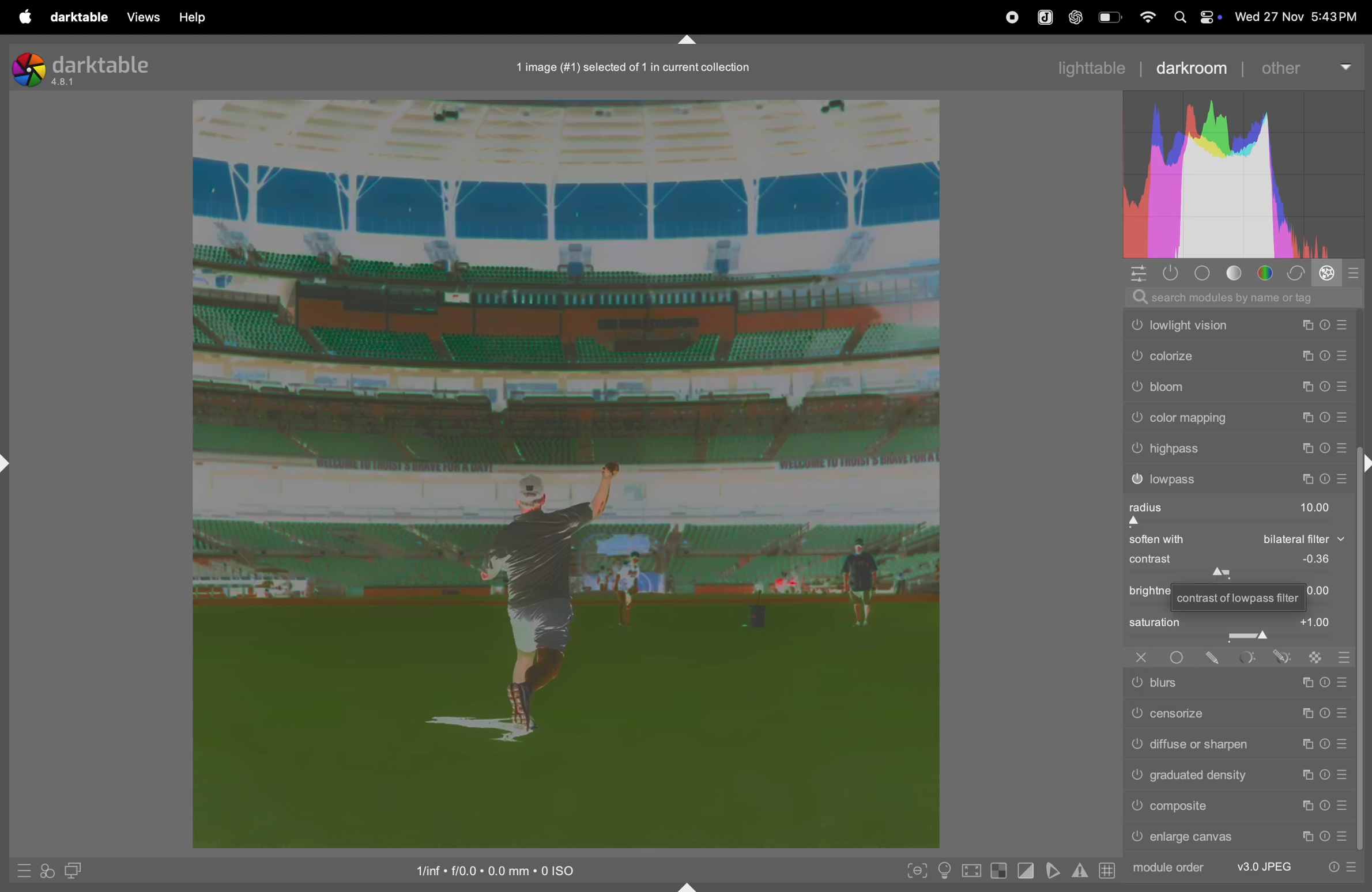 This screenshot has width=1372, height=892. Describe the element at coordinates (1053, 870) in the screenshot. I see `toggle soft proffing` at that location.